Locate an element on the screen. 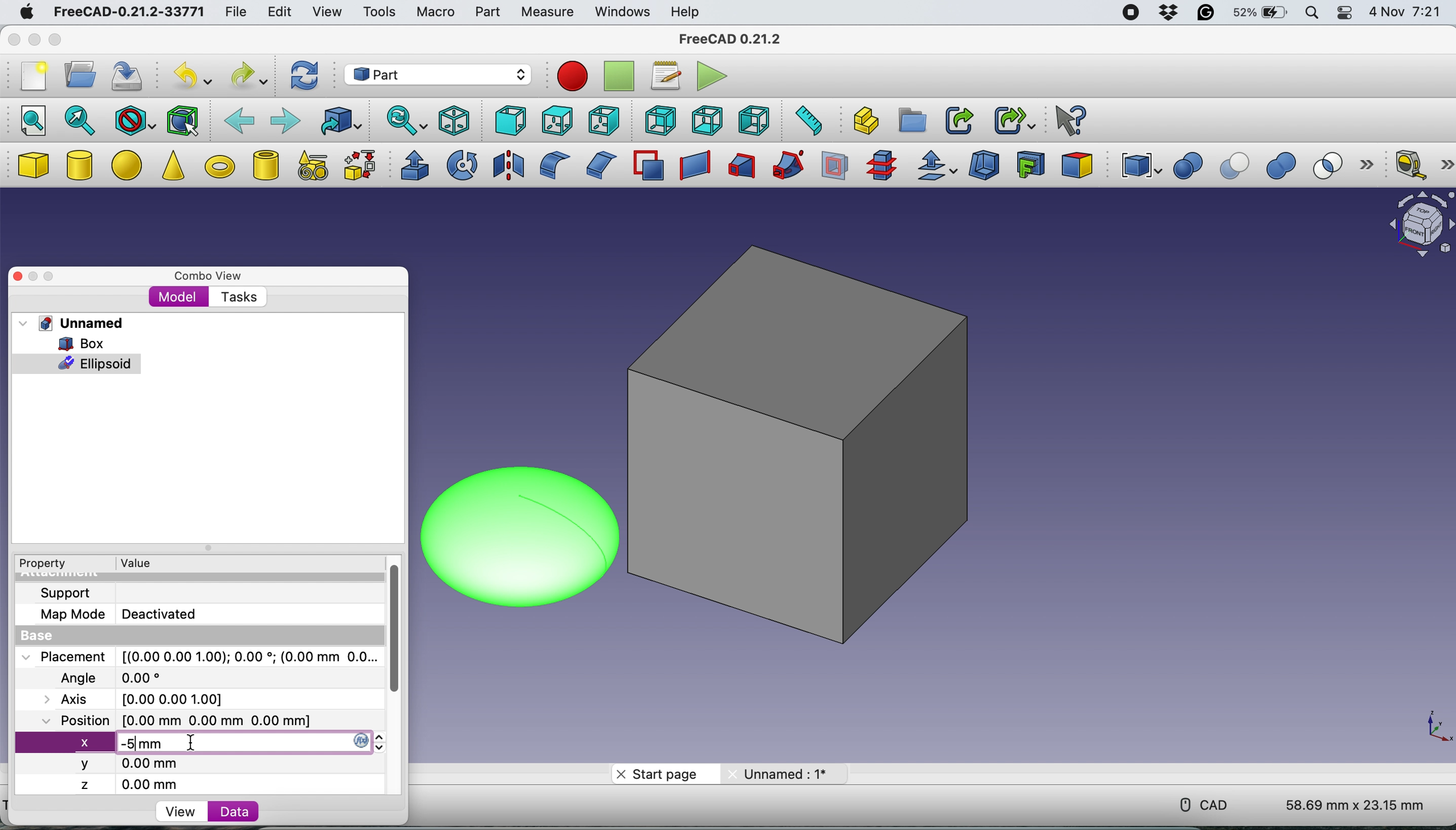 Image resolution: width=1456 pixels, height=830 pixels. compound tools is located at coordinates (1139, 166).